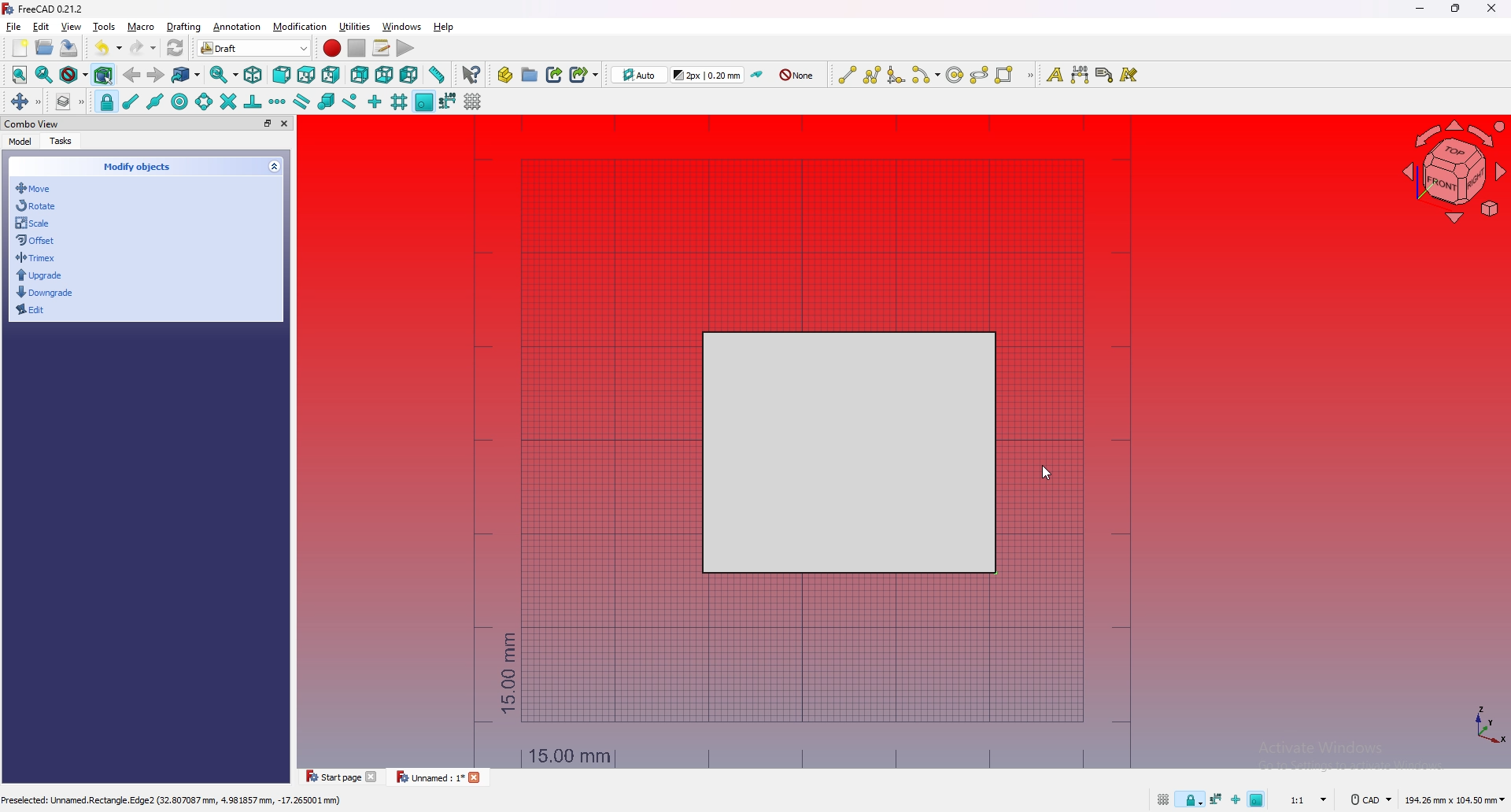 This screenshot has width=1511, height=812. Describe the element at coordinates (104, 76) in the screenshot. I see `bounding box` at that location.